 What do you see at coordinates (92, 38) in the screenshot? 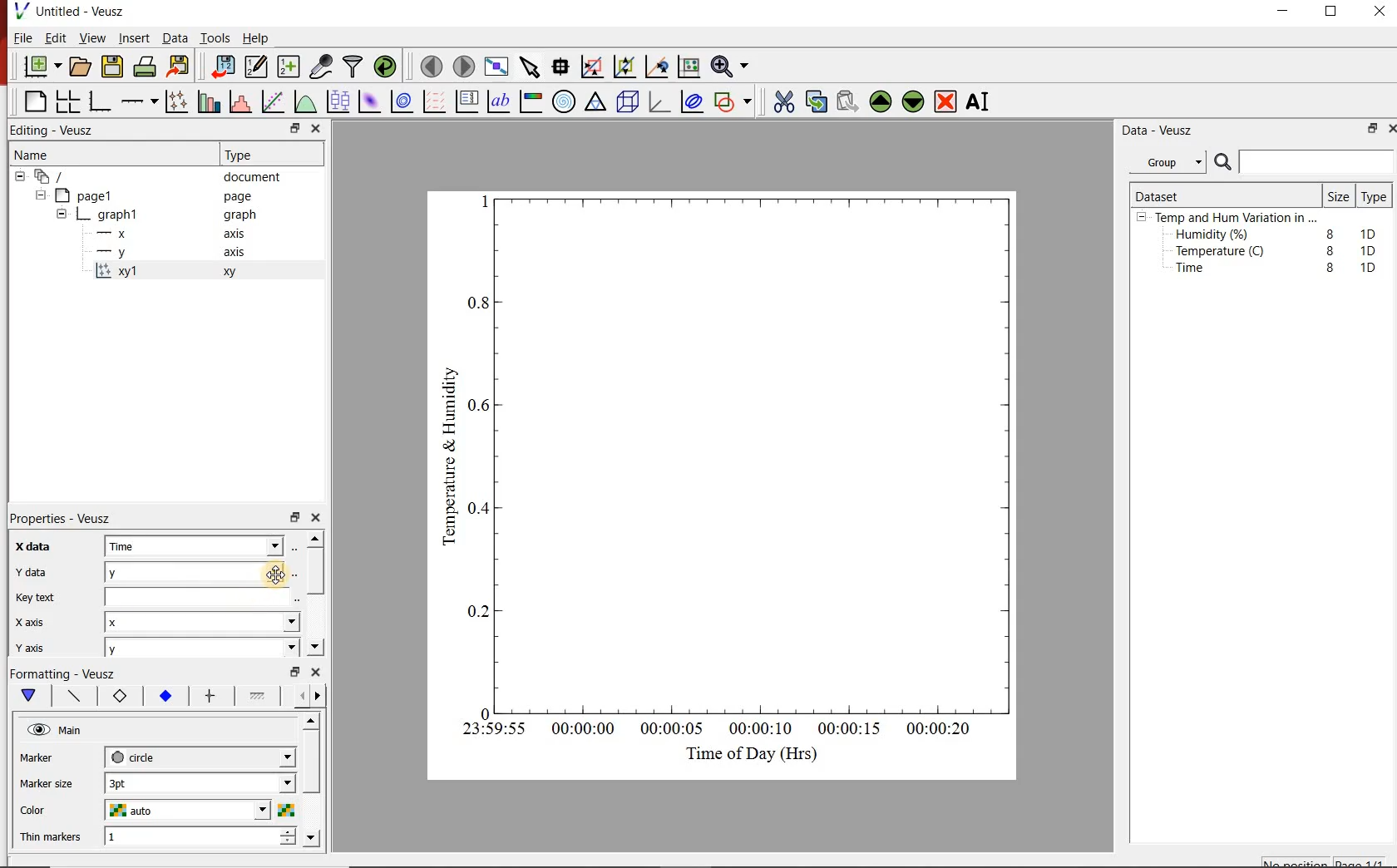
I see `View` at bounding box center [92, 38].